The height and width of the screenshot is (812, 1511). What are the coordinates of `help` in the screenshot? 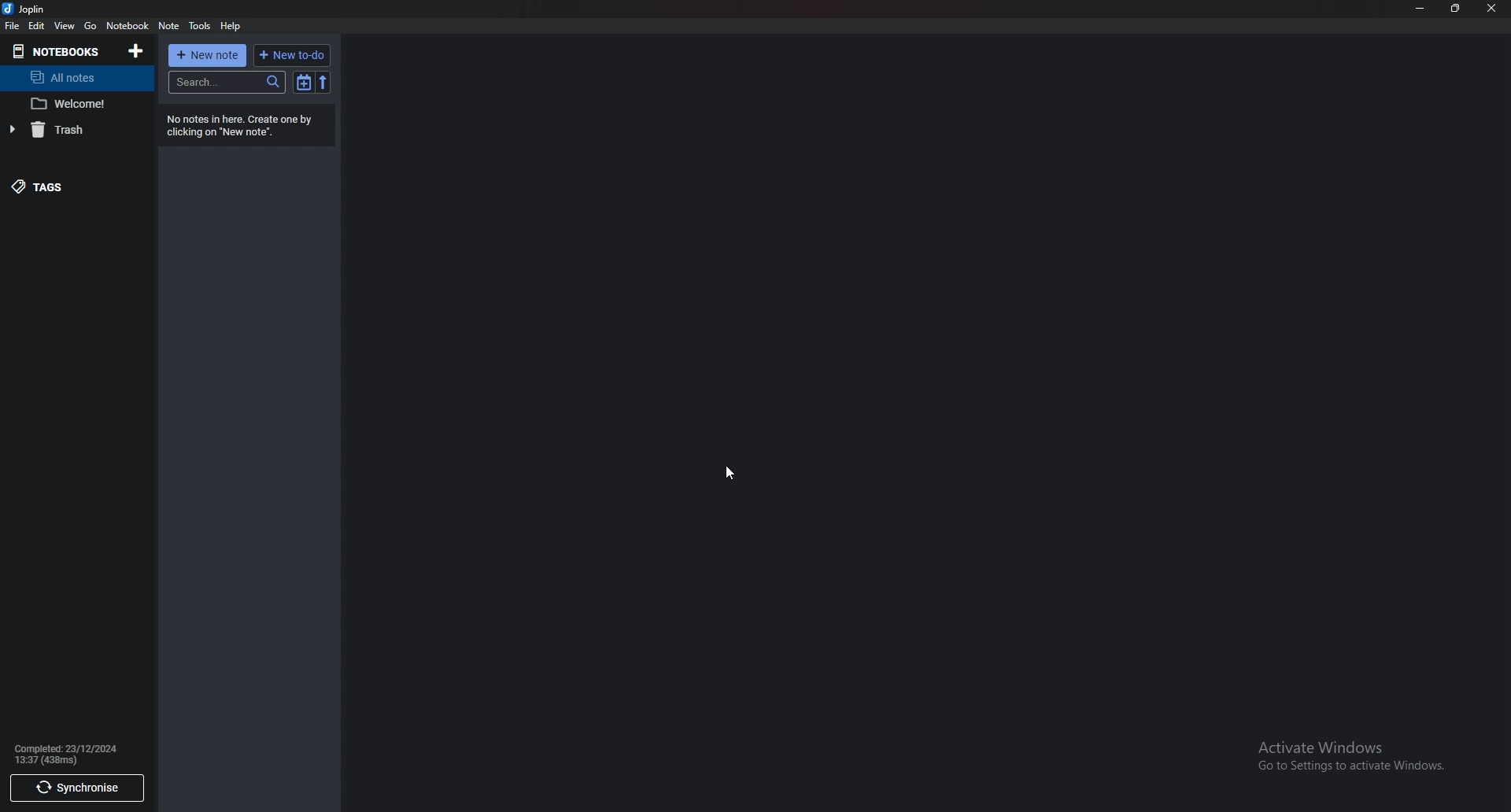 It's located at (231, 26).